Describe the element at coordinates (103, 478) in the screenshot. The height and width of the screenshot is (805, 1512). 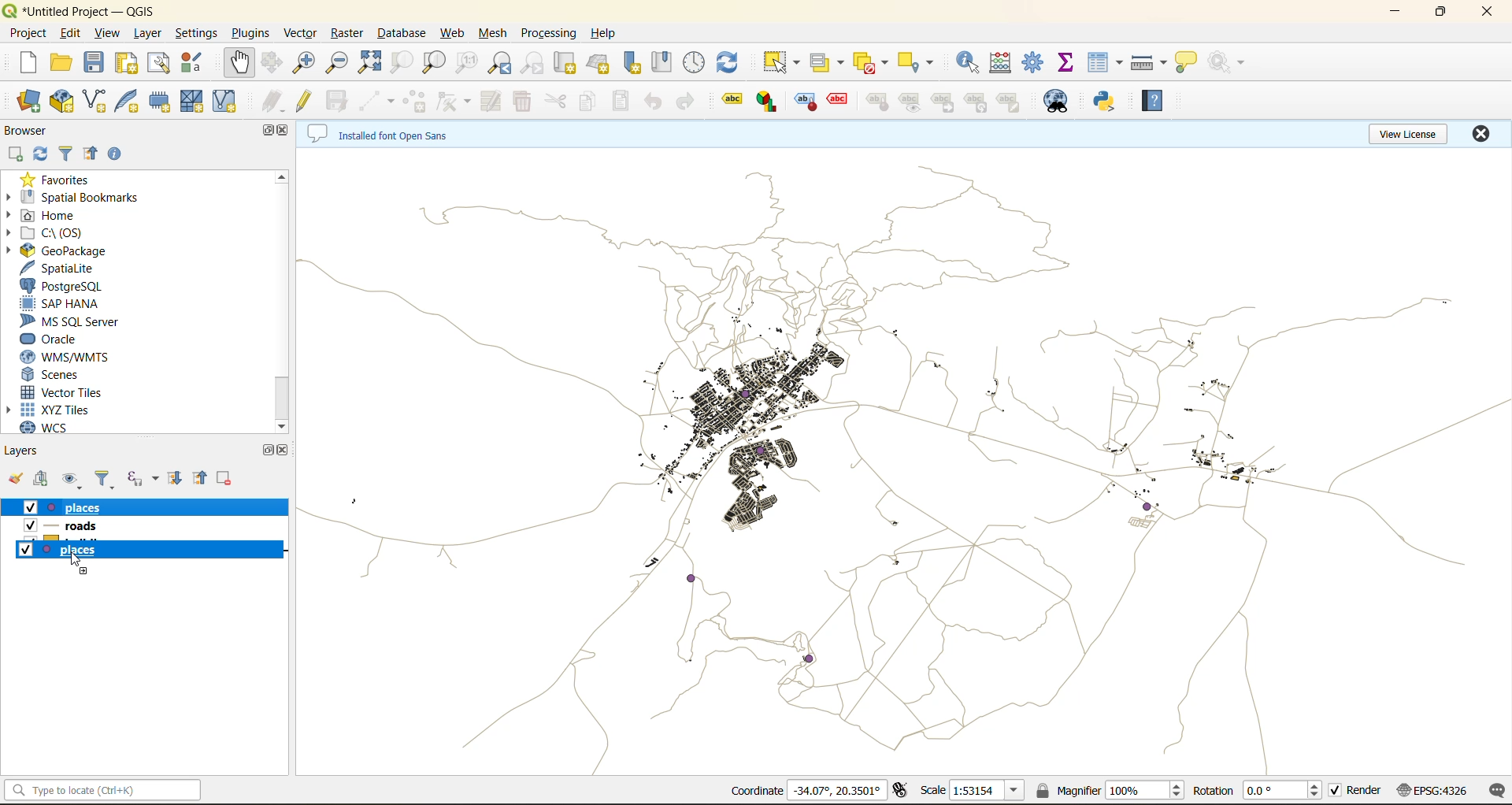
I see `filter` at that location.